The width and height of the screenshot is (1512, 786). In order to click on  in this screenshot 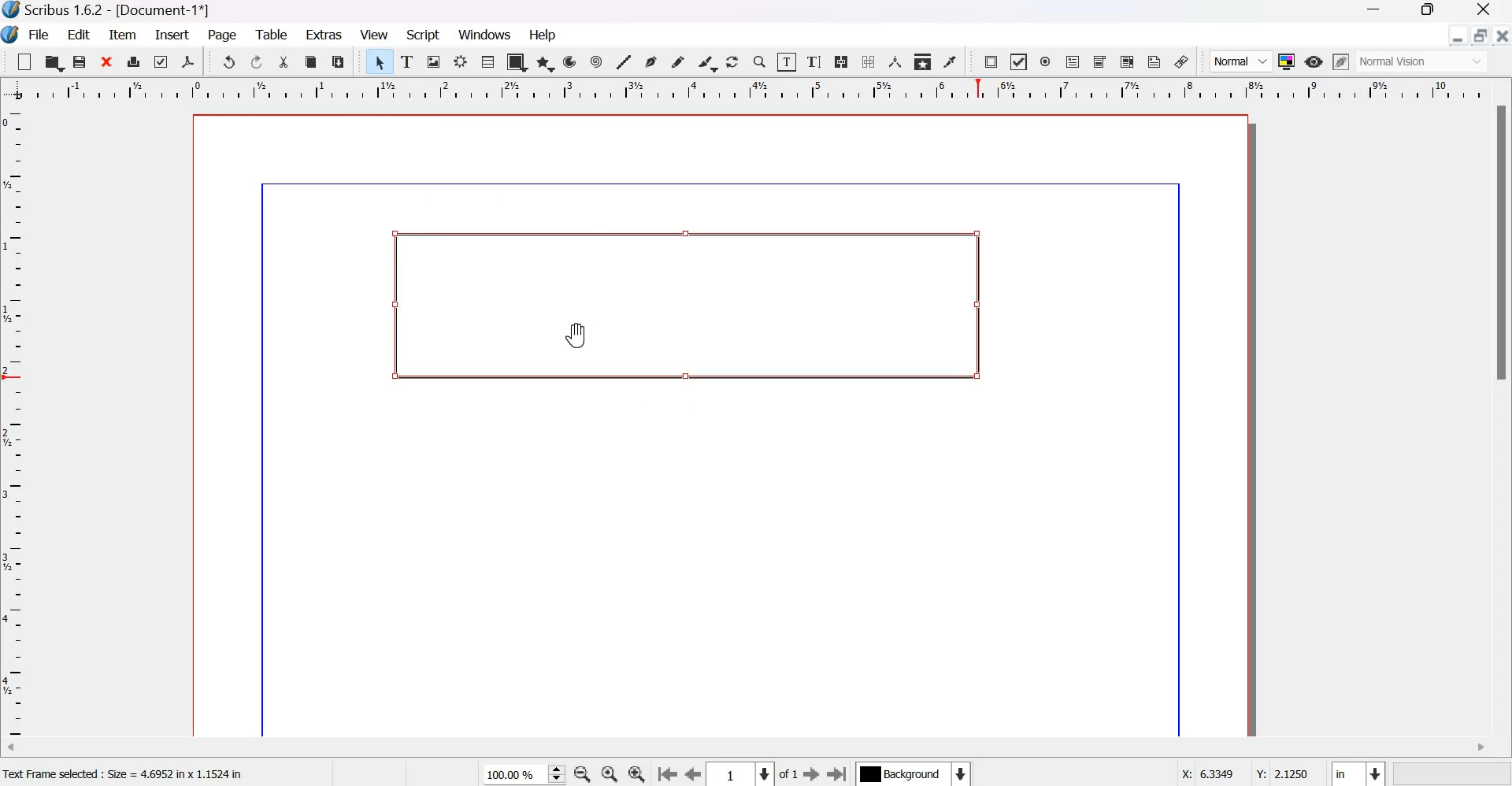, I will do `click(733, 61)`.